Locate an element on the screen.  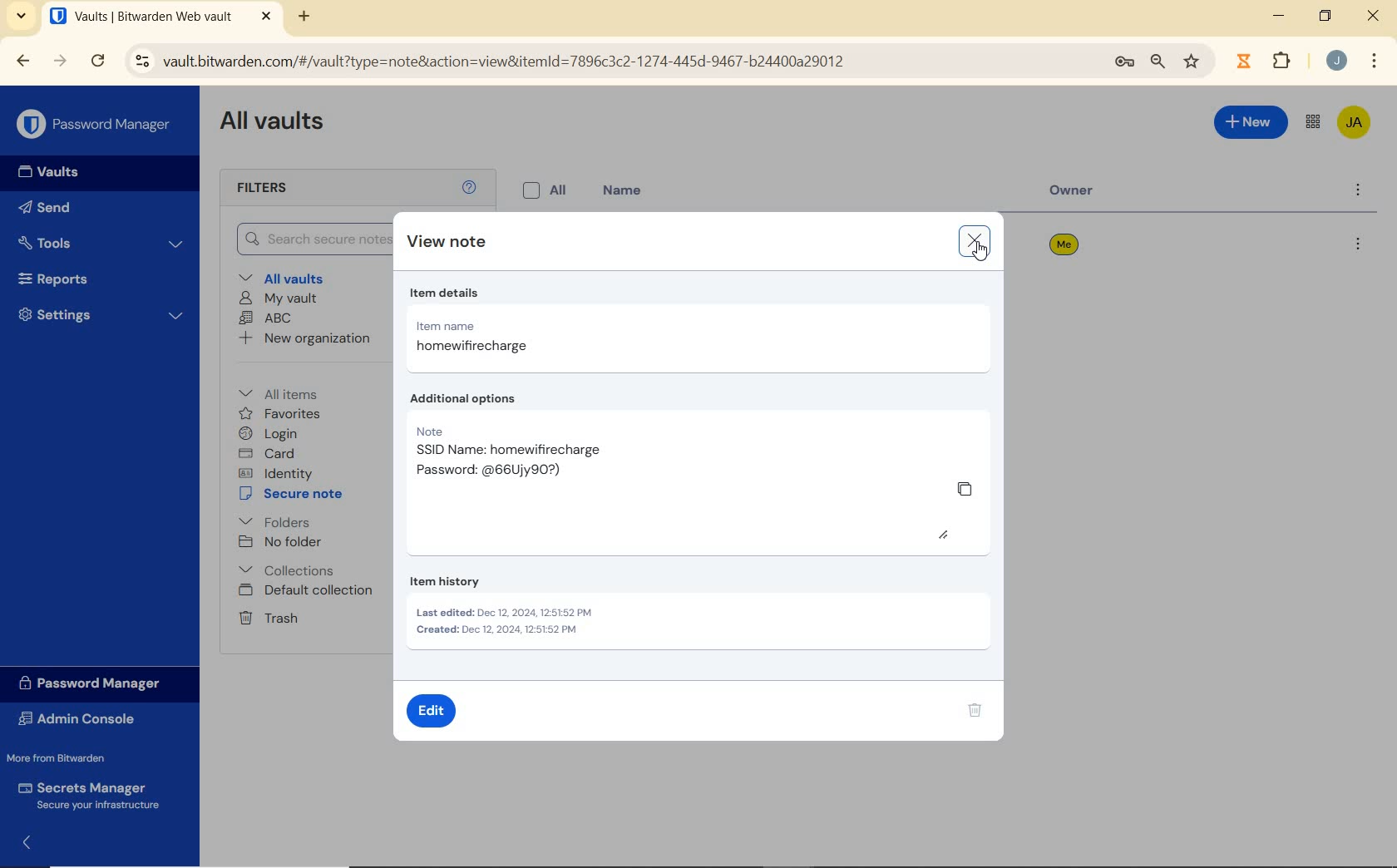
minimize is located at coordinates (1279, 15).